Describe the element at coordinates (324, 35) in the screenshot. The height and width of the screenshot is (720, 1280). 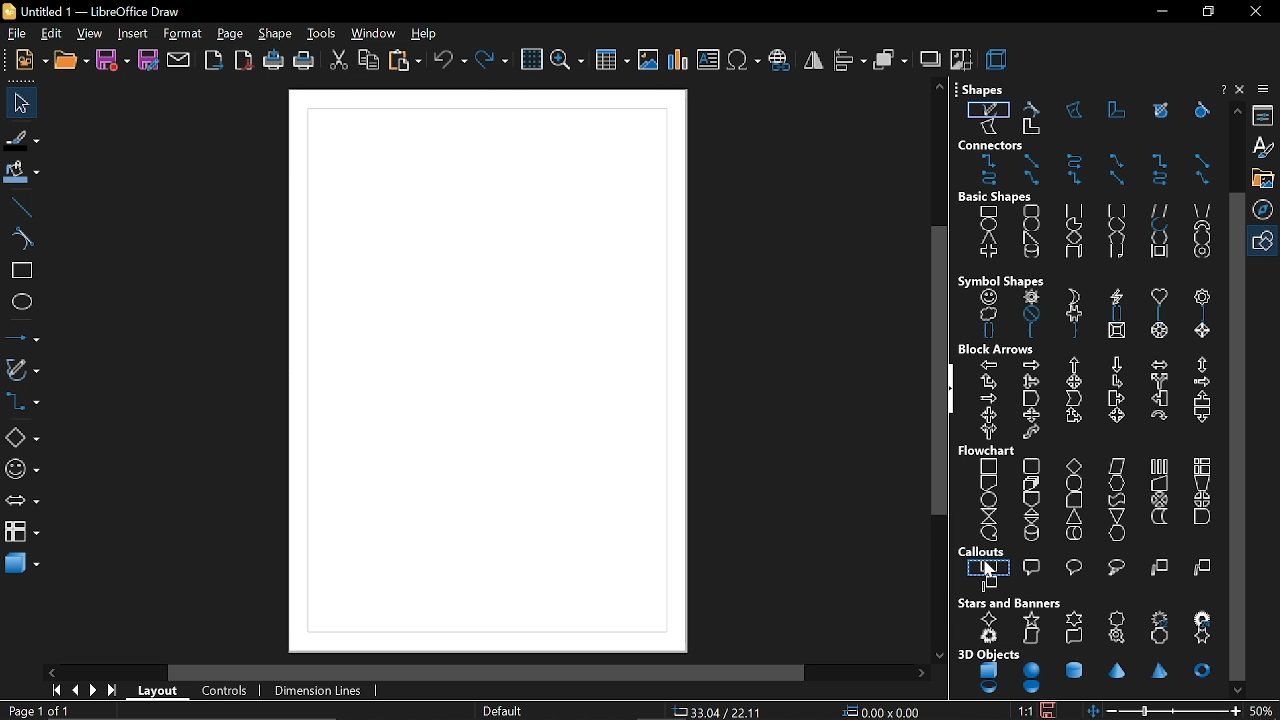
I see `tools` at that location.